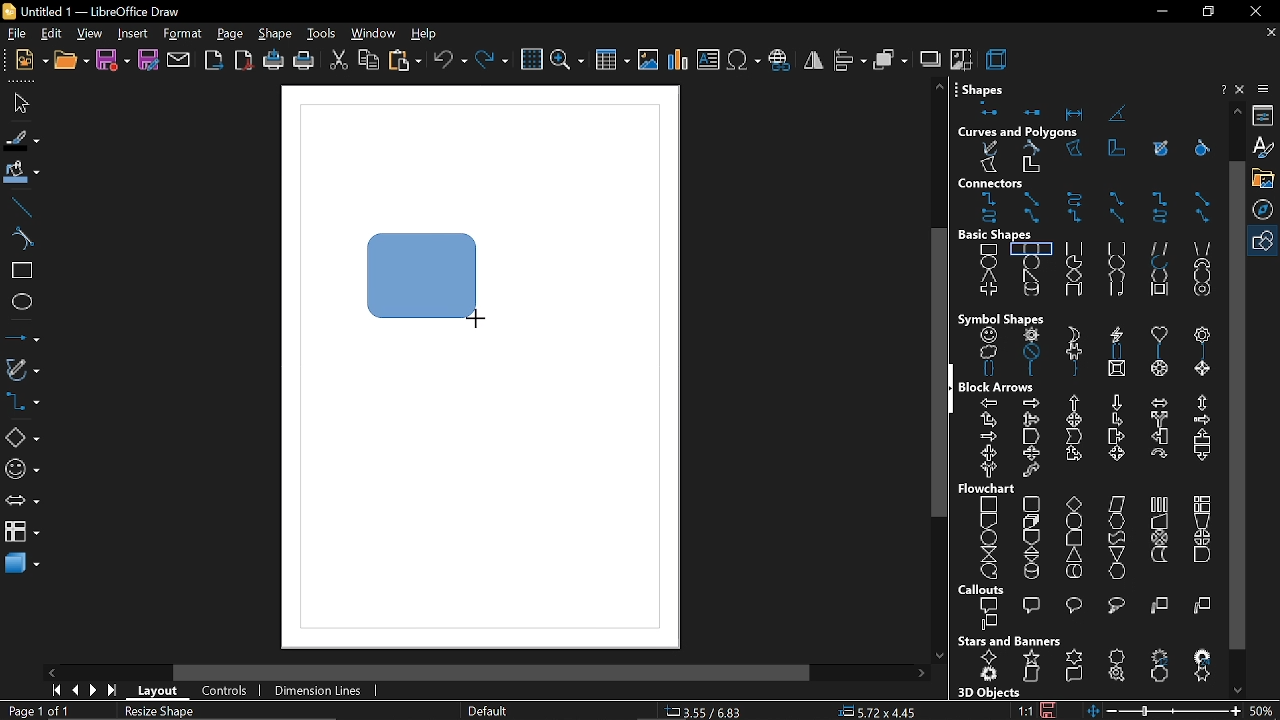 Image resolution: width=1280 pixels, height=720 pixels. What do you see at coordinates (160, 694) in the screenshot?
I see `layout` at bounding box center [160, 694].